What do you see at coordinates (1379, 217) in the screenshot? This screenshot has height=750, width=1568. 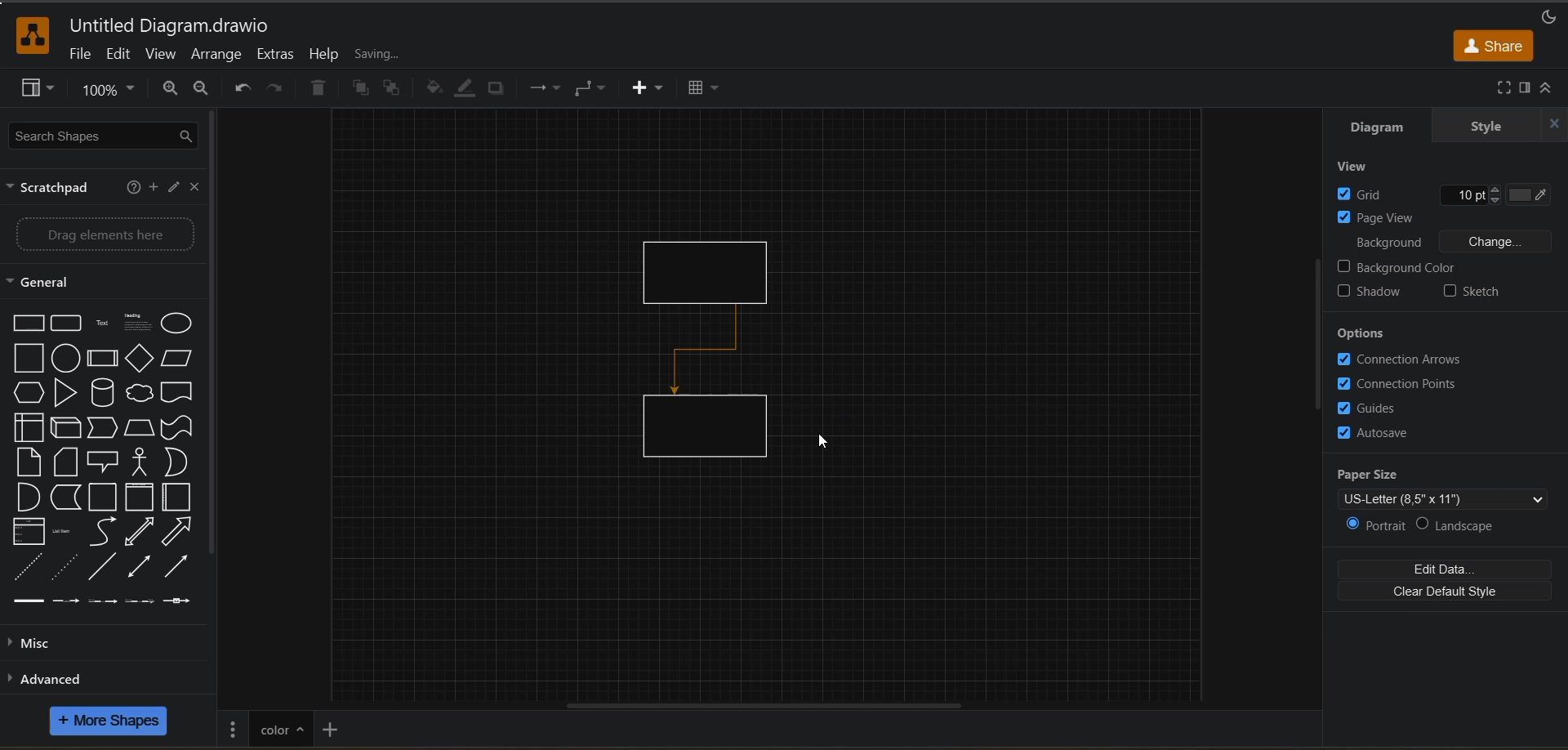 I see `page view` at bounding box center [1379, 217].